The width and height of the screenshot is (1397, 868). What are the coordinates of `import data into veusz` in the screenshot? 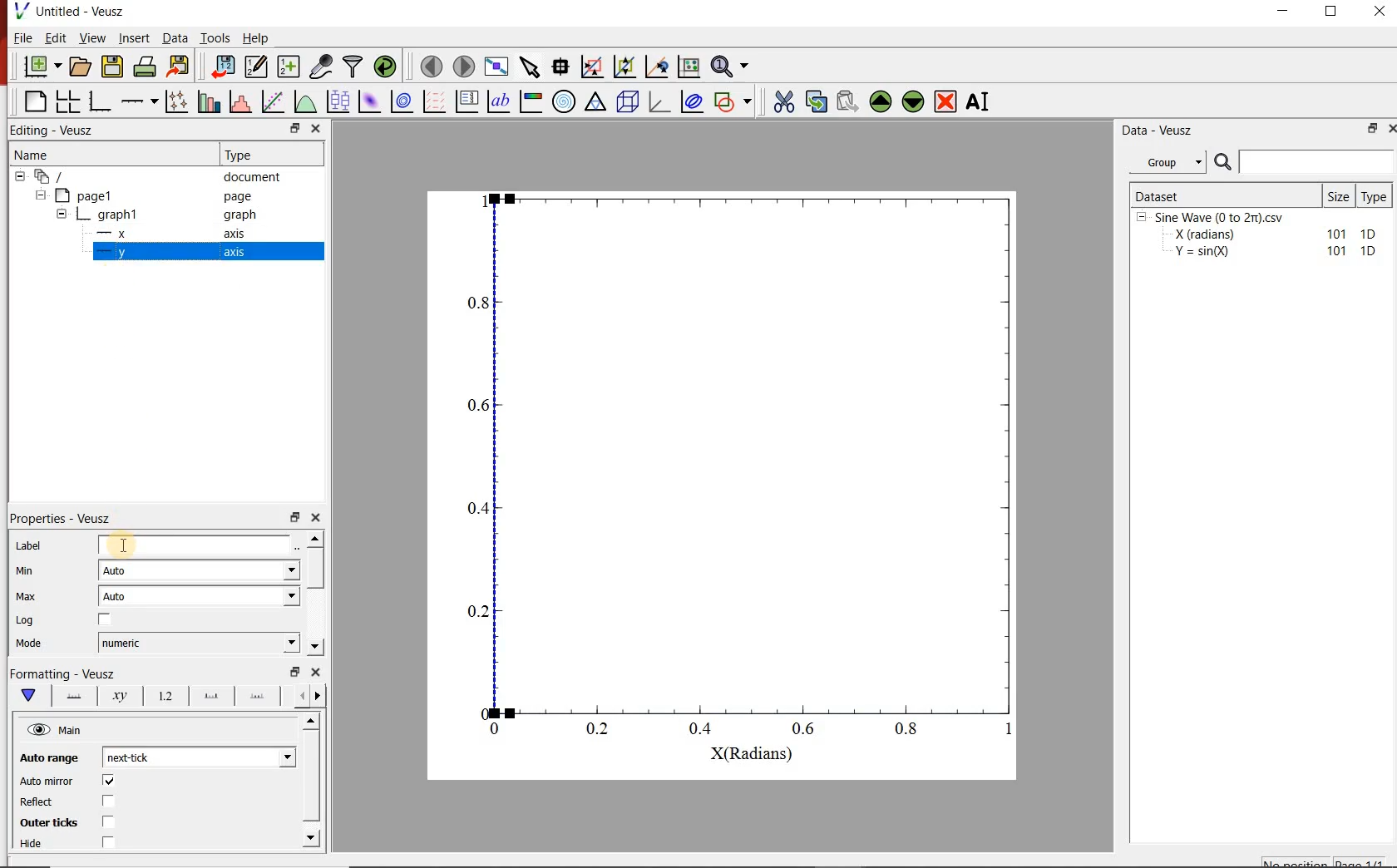 It's located at (221, 66).